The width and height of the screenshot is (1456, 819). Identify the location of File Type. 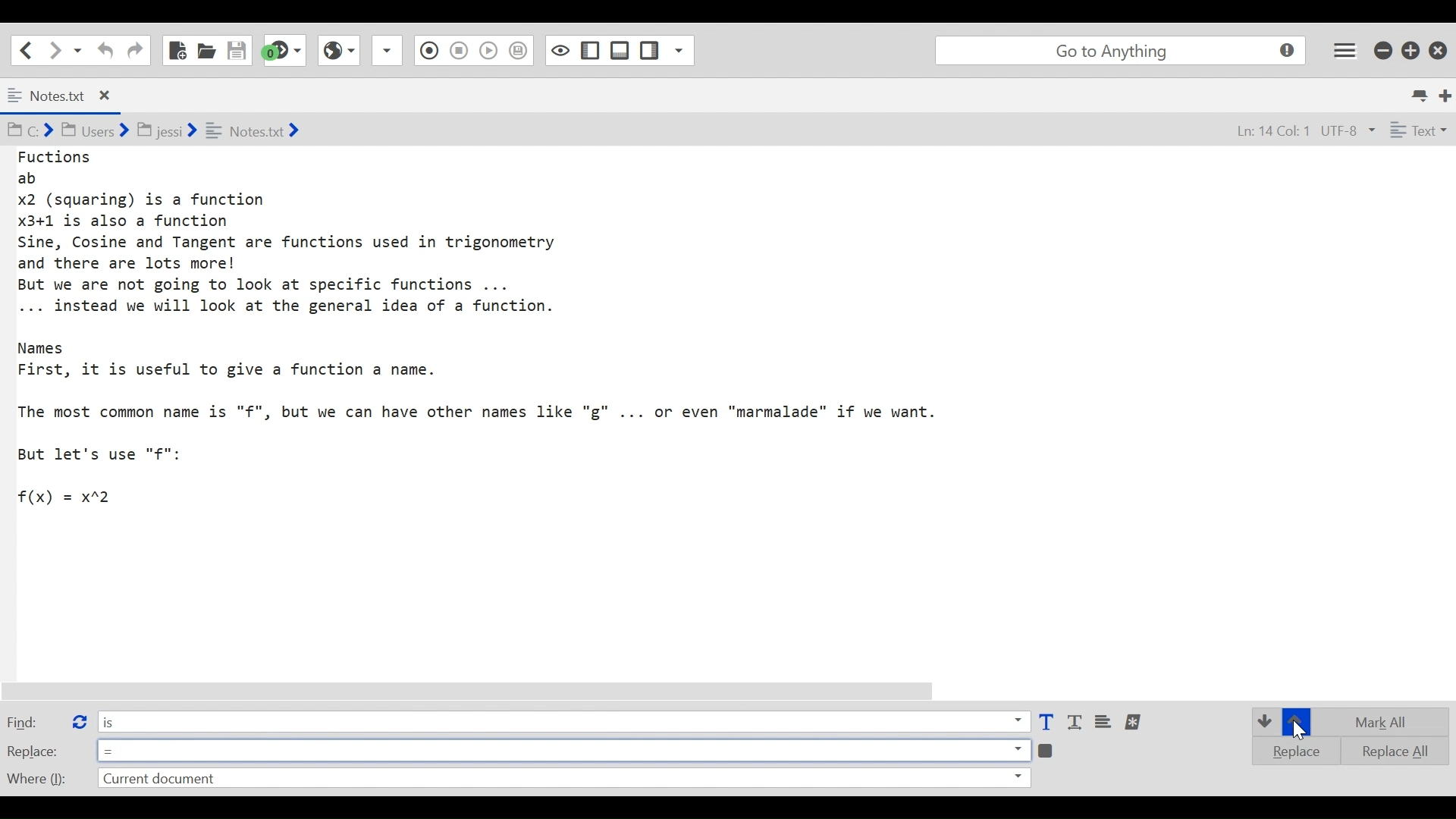
(1417, 133).